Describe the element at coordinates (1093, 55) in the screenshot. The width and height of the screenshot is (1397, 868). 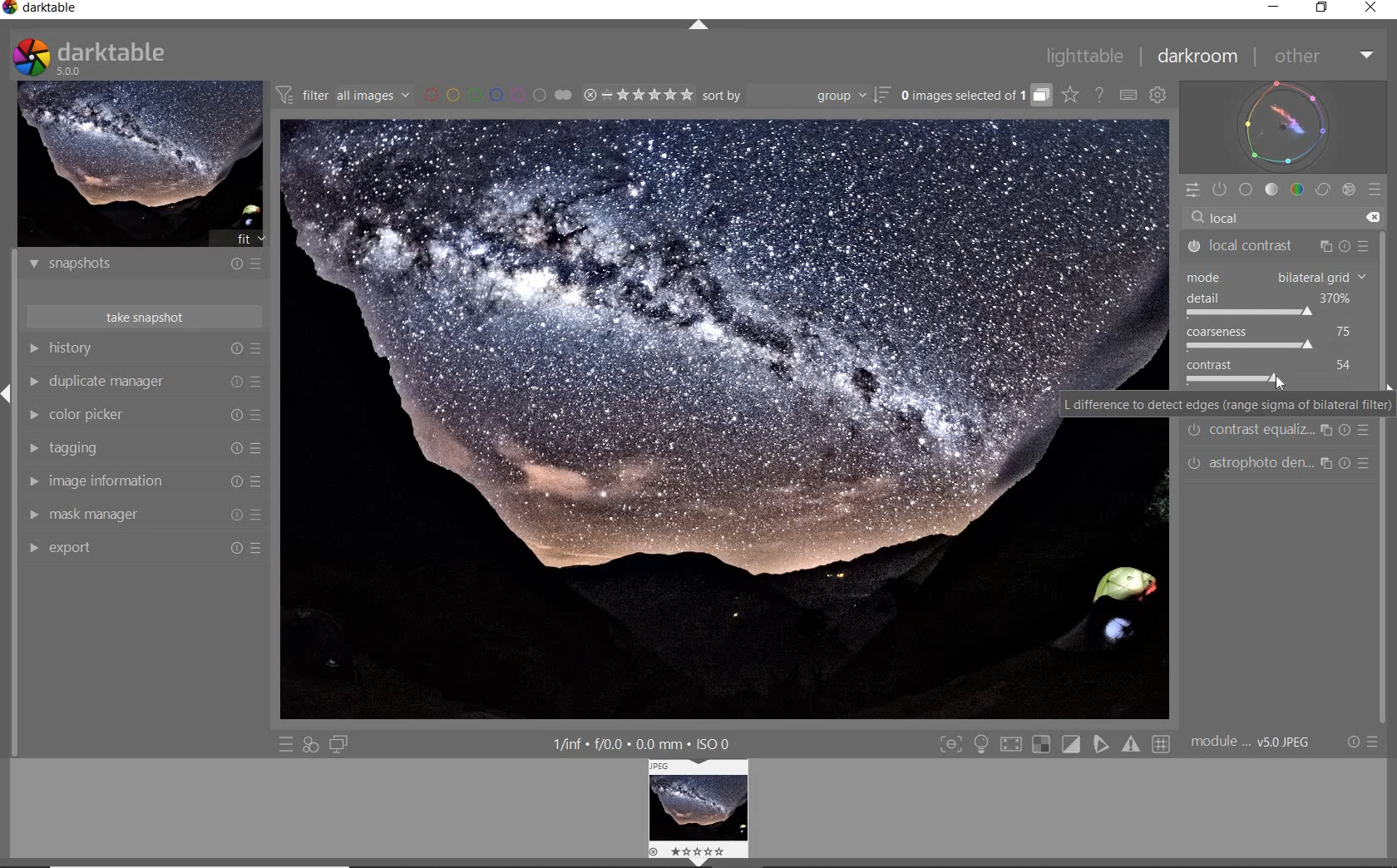
I see `LIGHTTABLE` at that location.